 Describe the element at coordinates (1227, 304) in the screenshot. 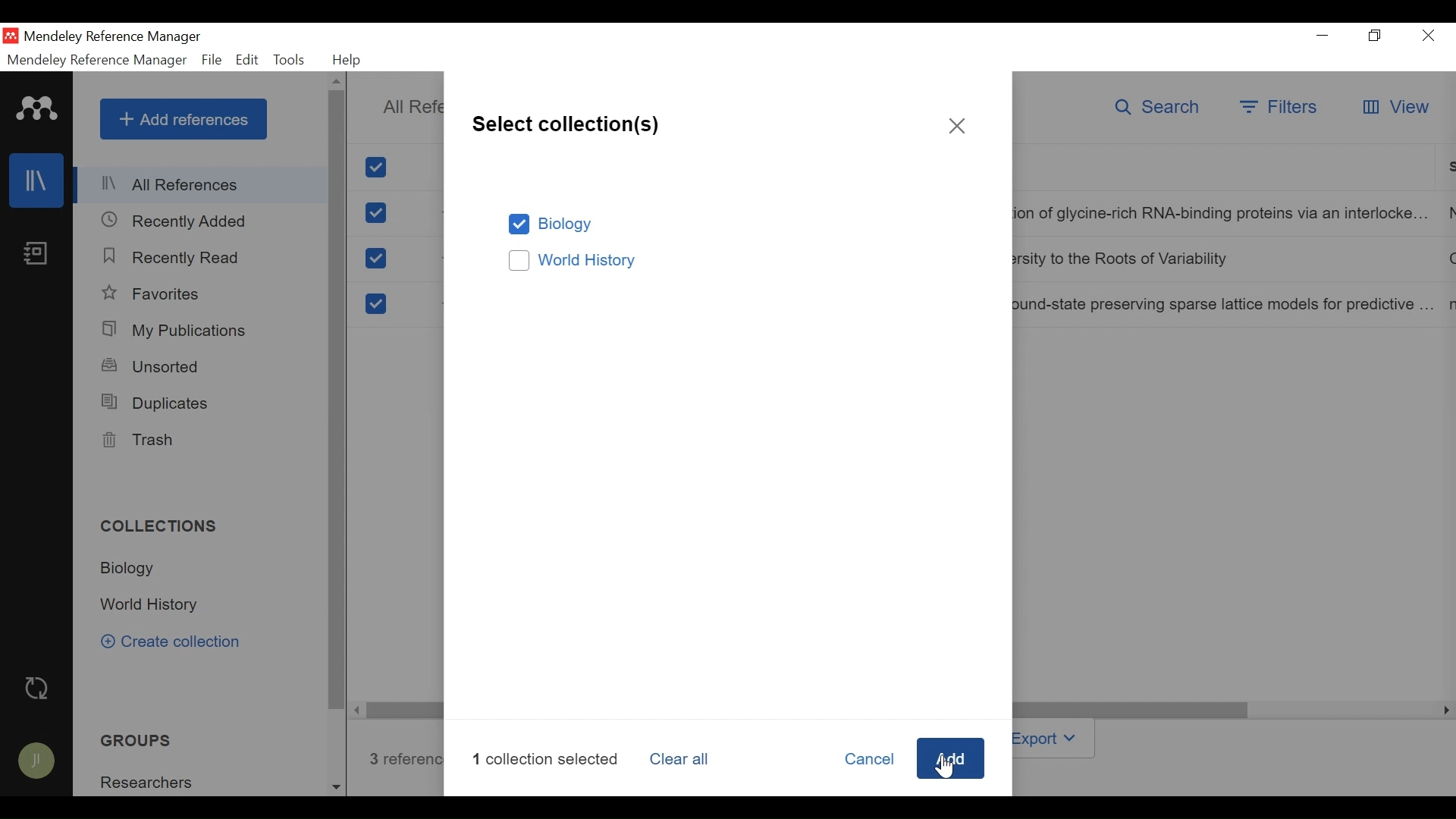

I see `Journal Title` at that location.